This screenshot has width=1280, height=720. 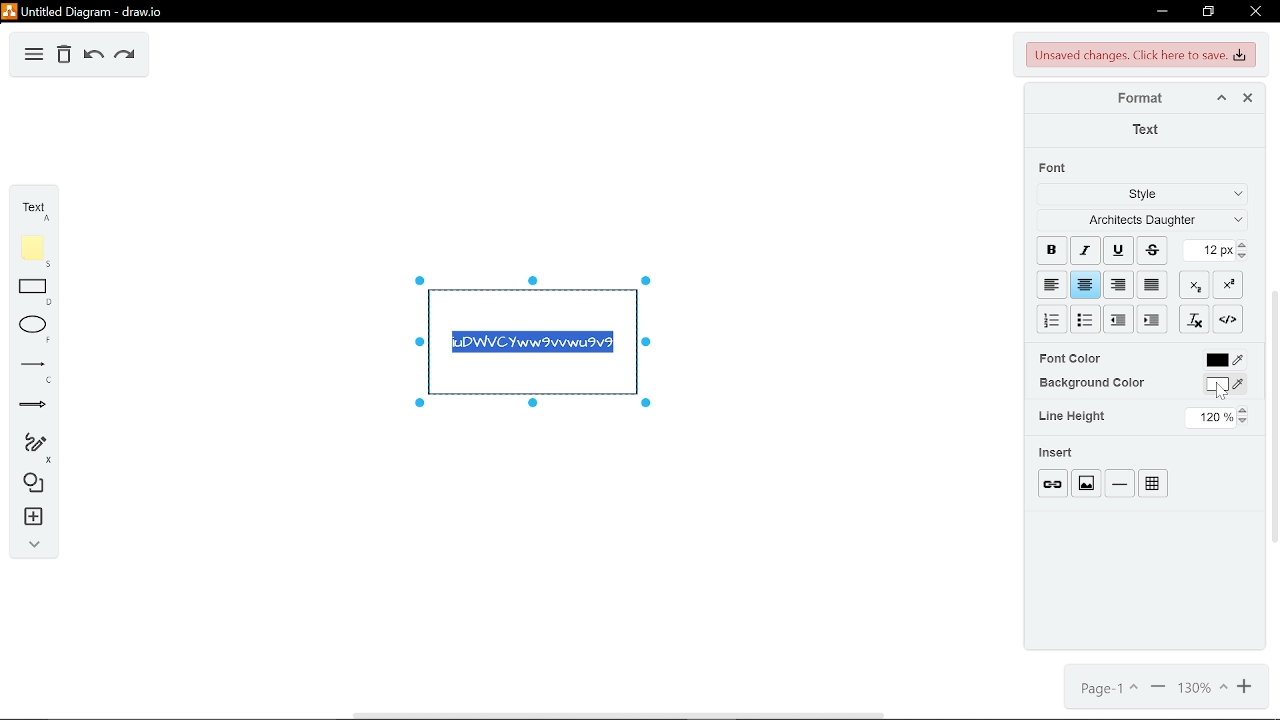 I want to click on align center, so click(x=1119, y=283).